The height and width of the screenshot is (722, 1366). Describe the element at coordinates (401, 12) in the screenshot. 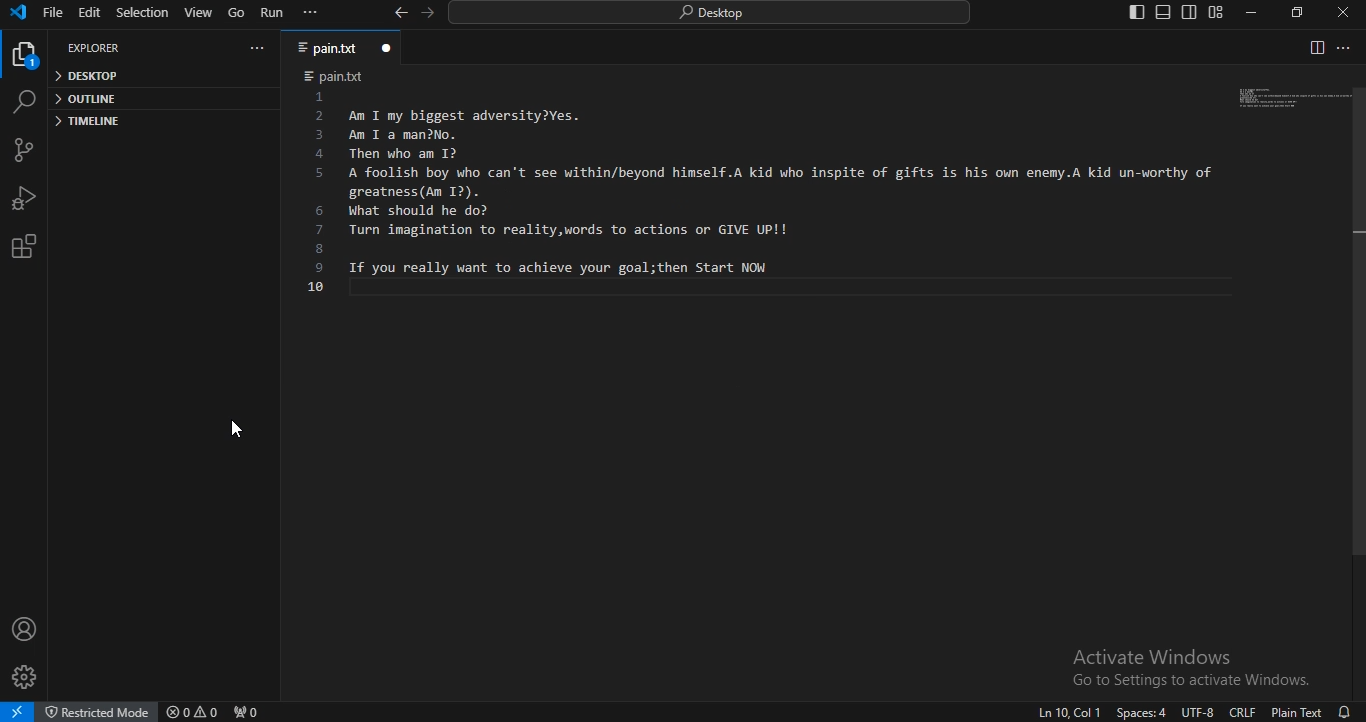

I see `go back` at that location.